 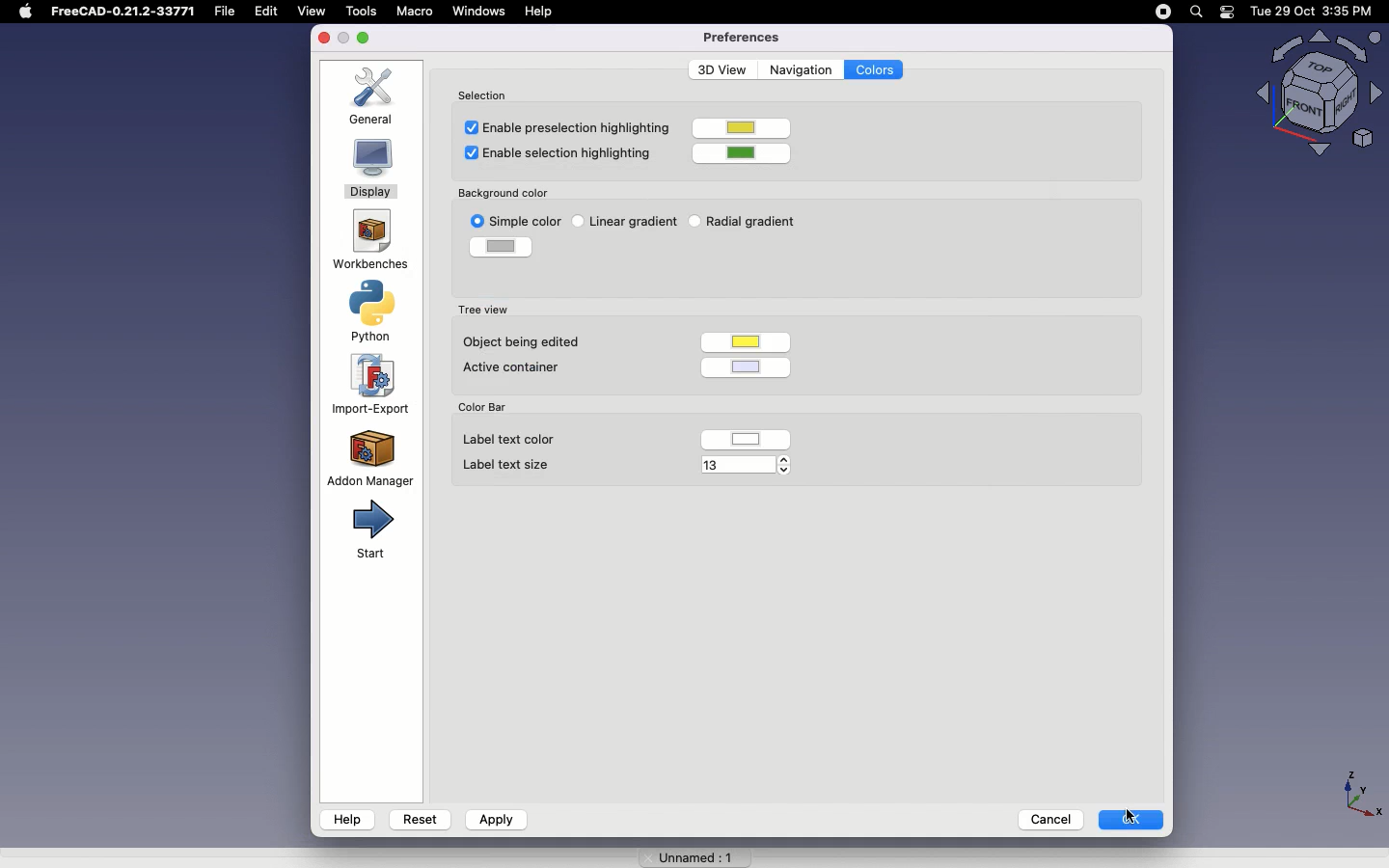 I want to click on Color Bar, so click(x=490, y=407).